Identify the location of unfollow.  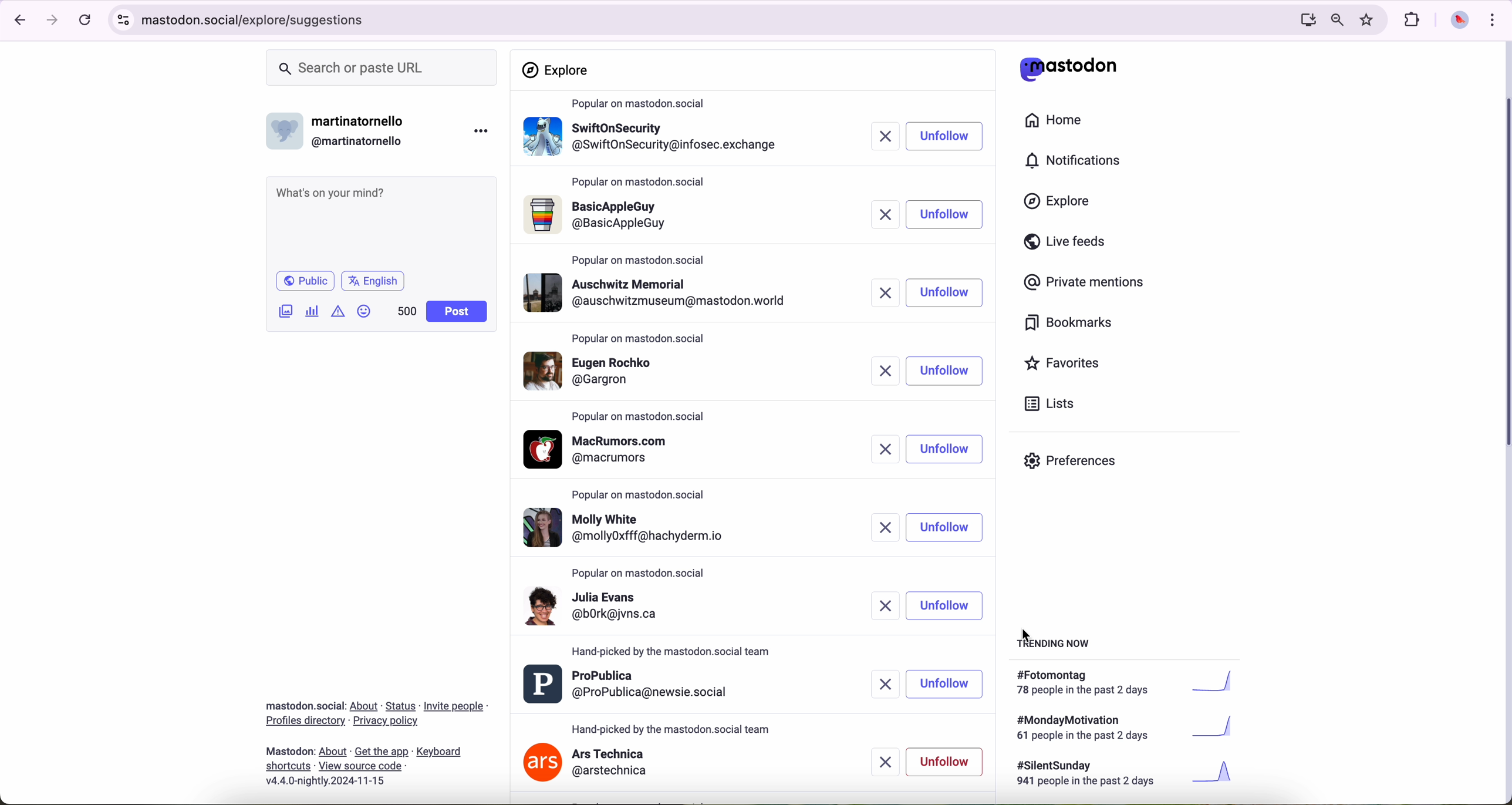
(947, 528).